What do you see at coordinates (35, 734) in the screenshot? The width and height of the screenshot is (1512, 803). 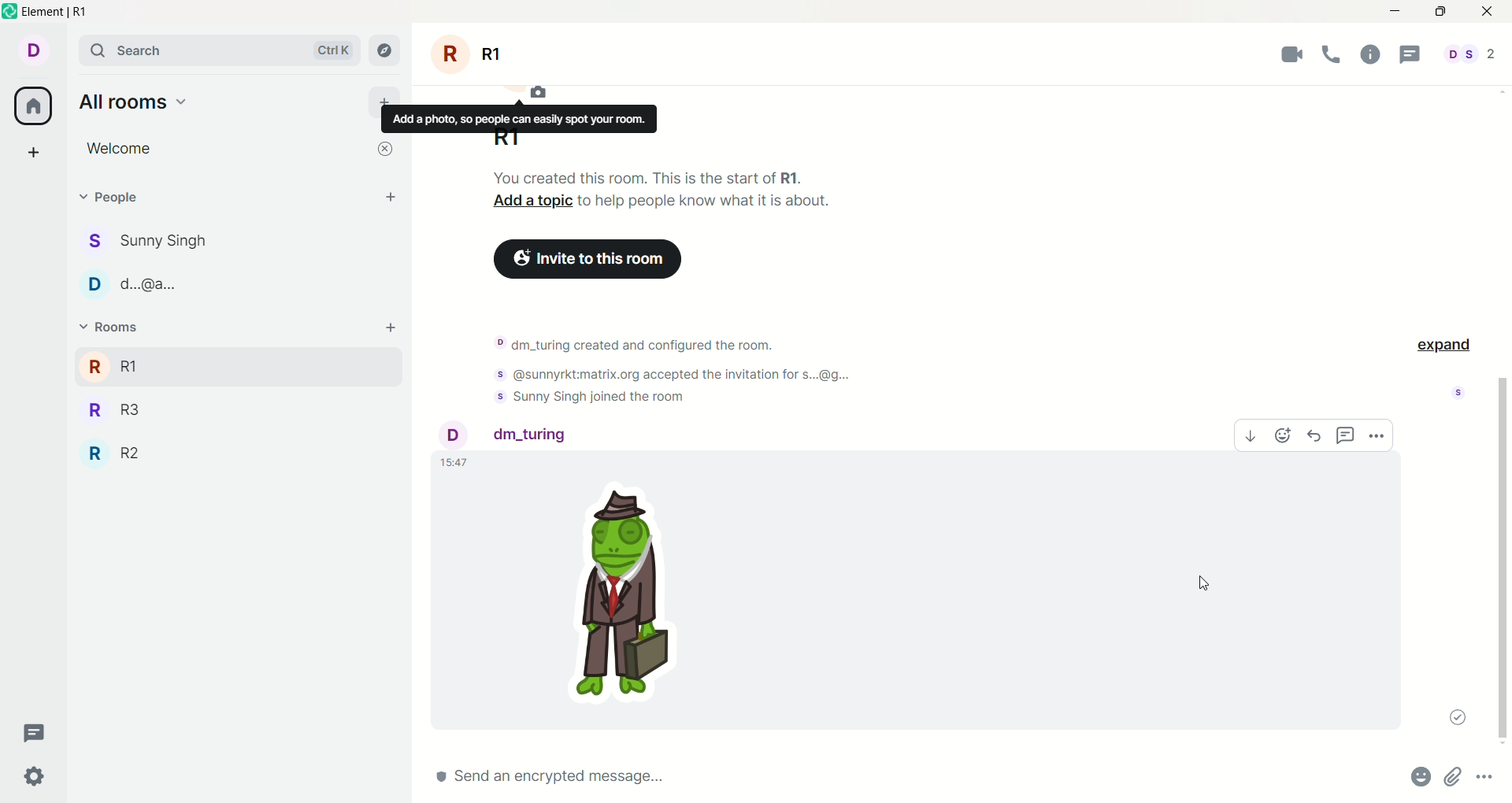 I see `threads` at bounding box center [35, 734].